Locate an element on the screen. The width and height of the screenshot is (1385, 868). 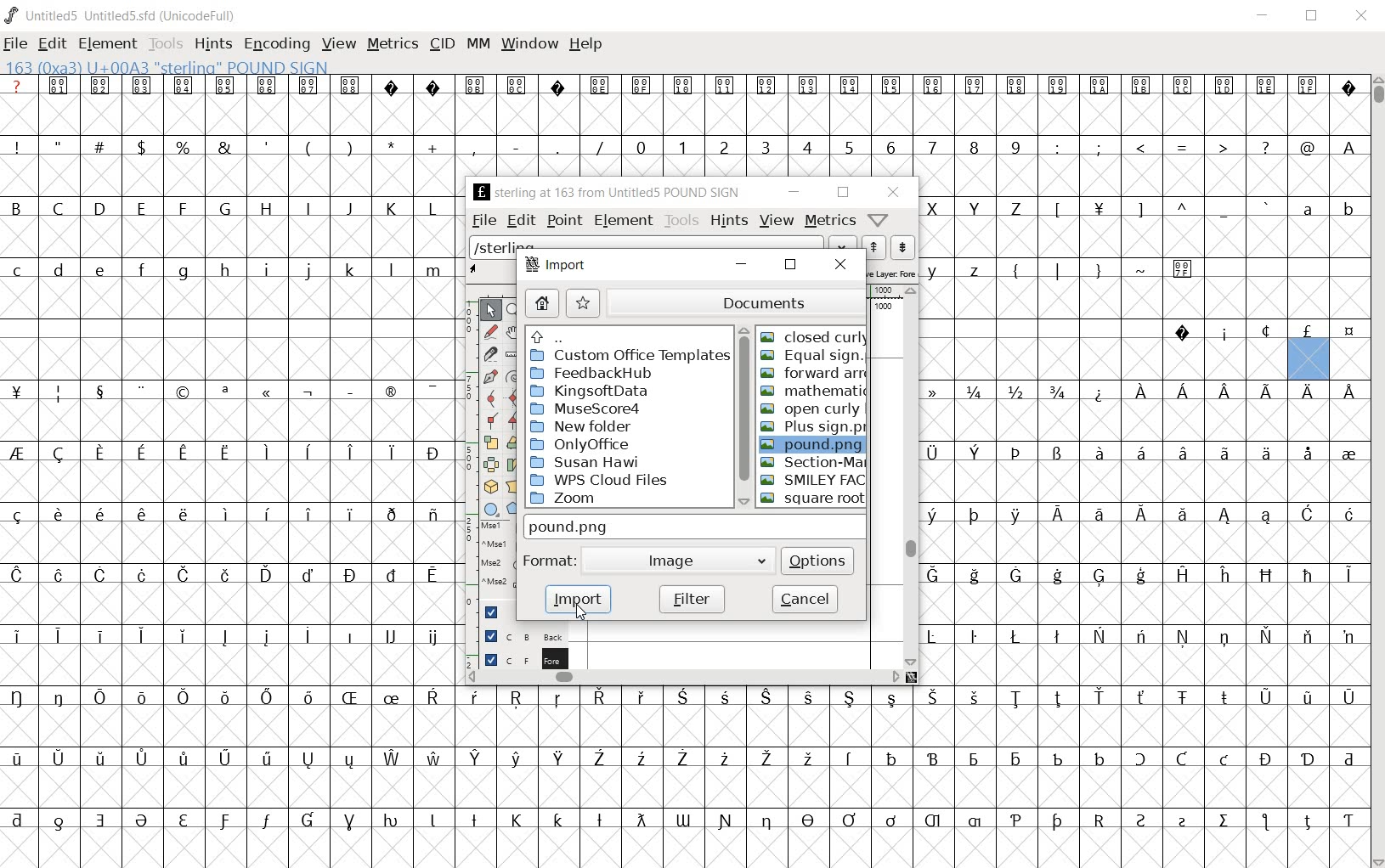
' is located at coordinates (268, 148).